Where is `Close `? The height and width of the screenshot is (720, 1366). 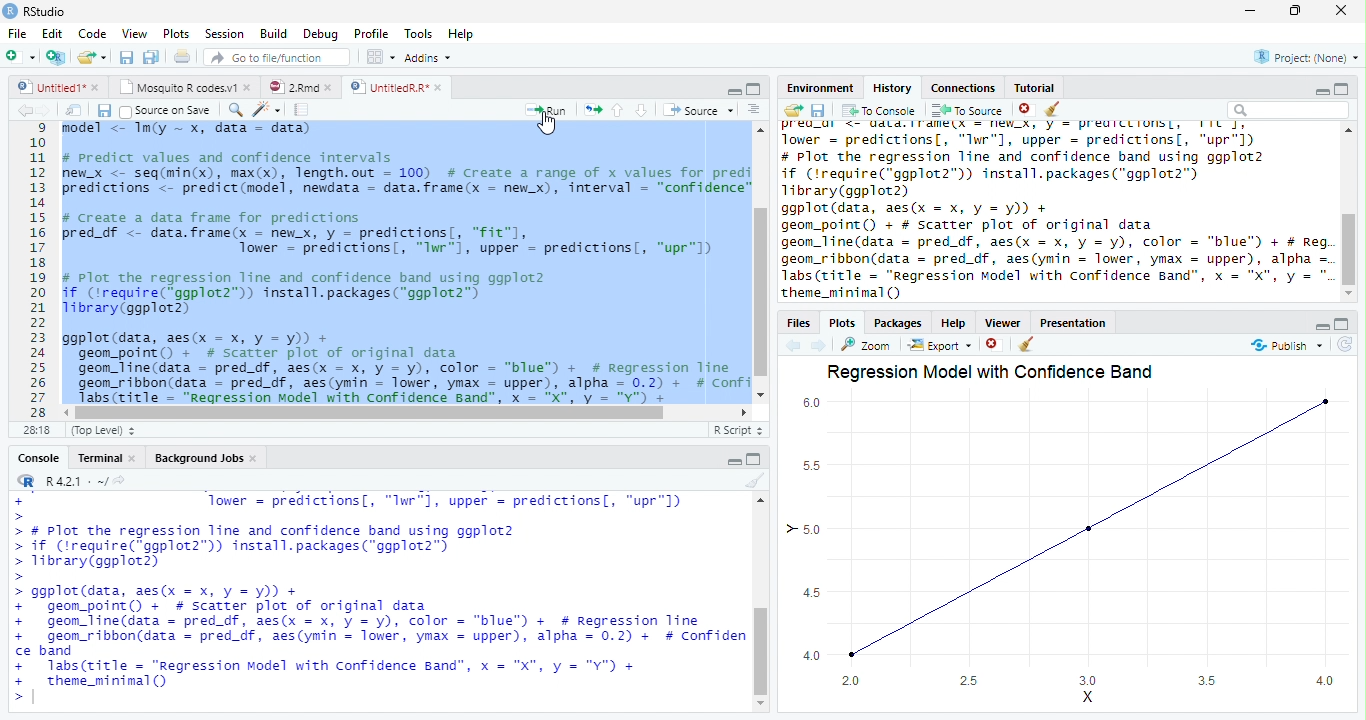
Close  is located at coordinates (1342, 12).